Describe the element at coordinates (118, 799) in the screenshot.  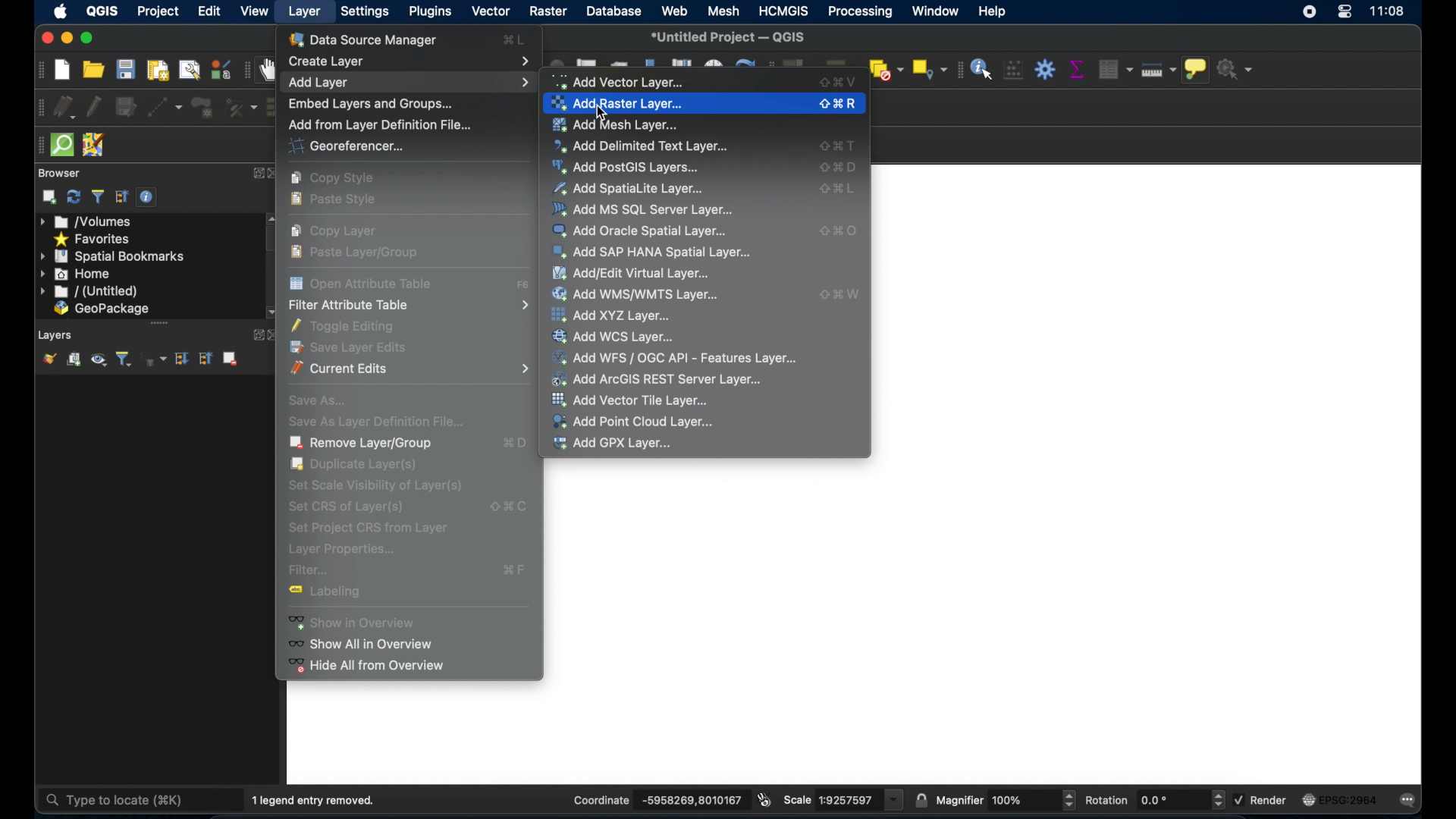
I see `type to locate` at that location.